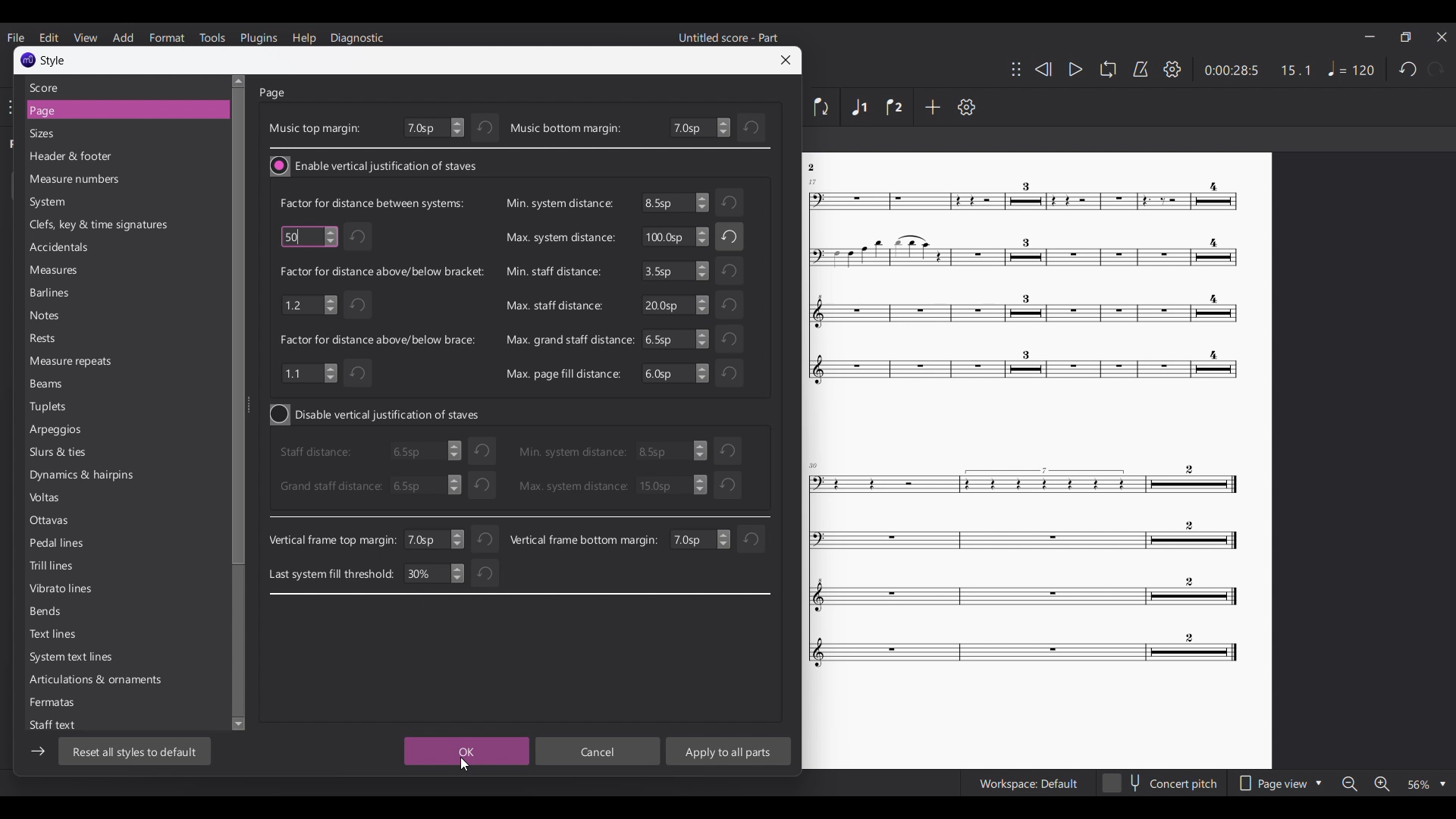 This screenshot has height=819, width=1456. Describe the element at coordinates (73, 385) in the screenshot. I see `Beams` at that location.